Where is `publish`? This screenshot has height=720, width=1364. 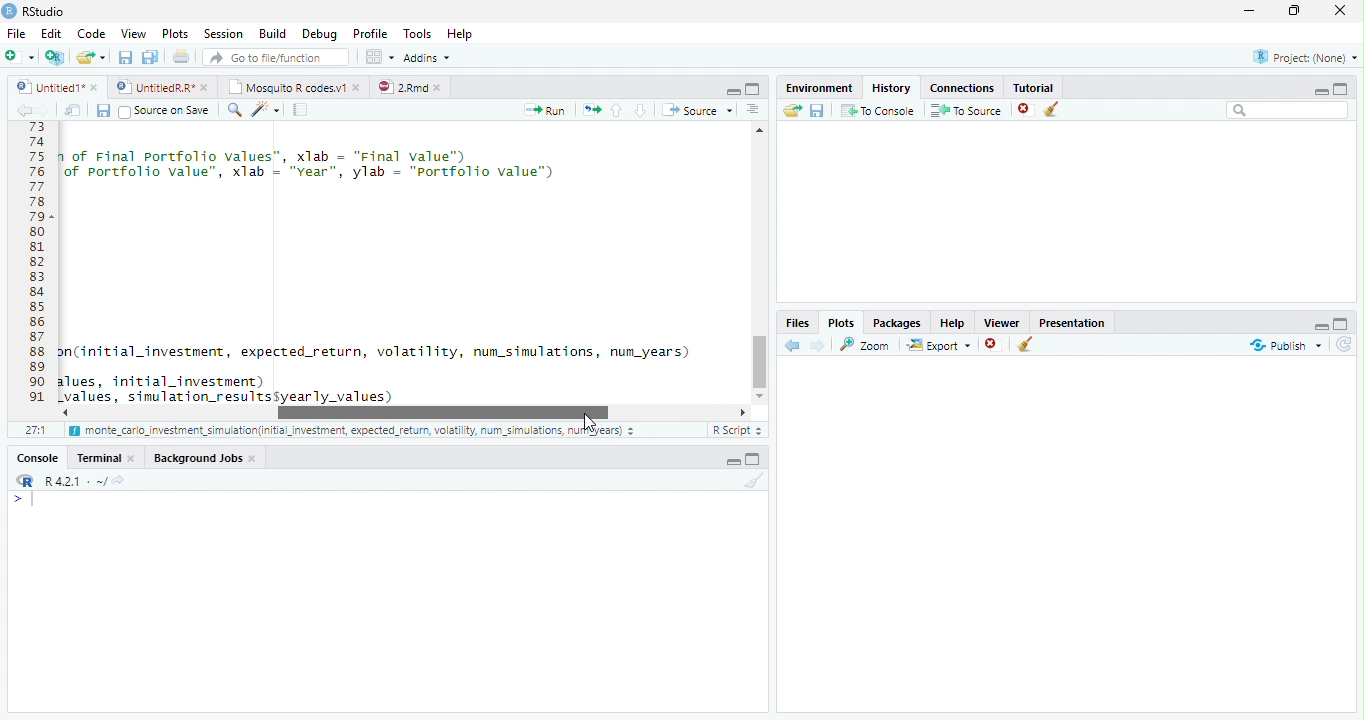 publish is located at coordinates (1285, 345).